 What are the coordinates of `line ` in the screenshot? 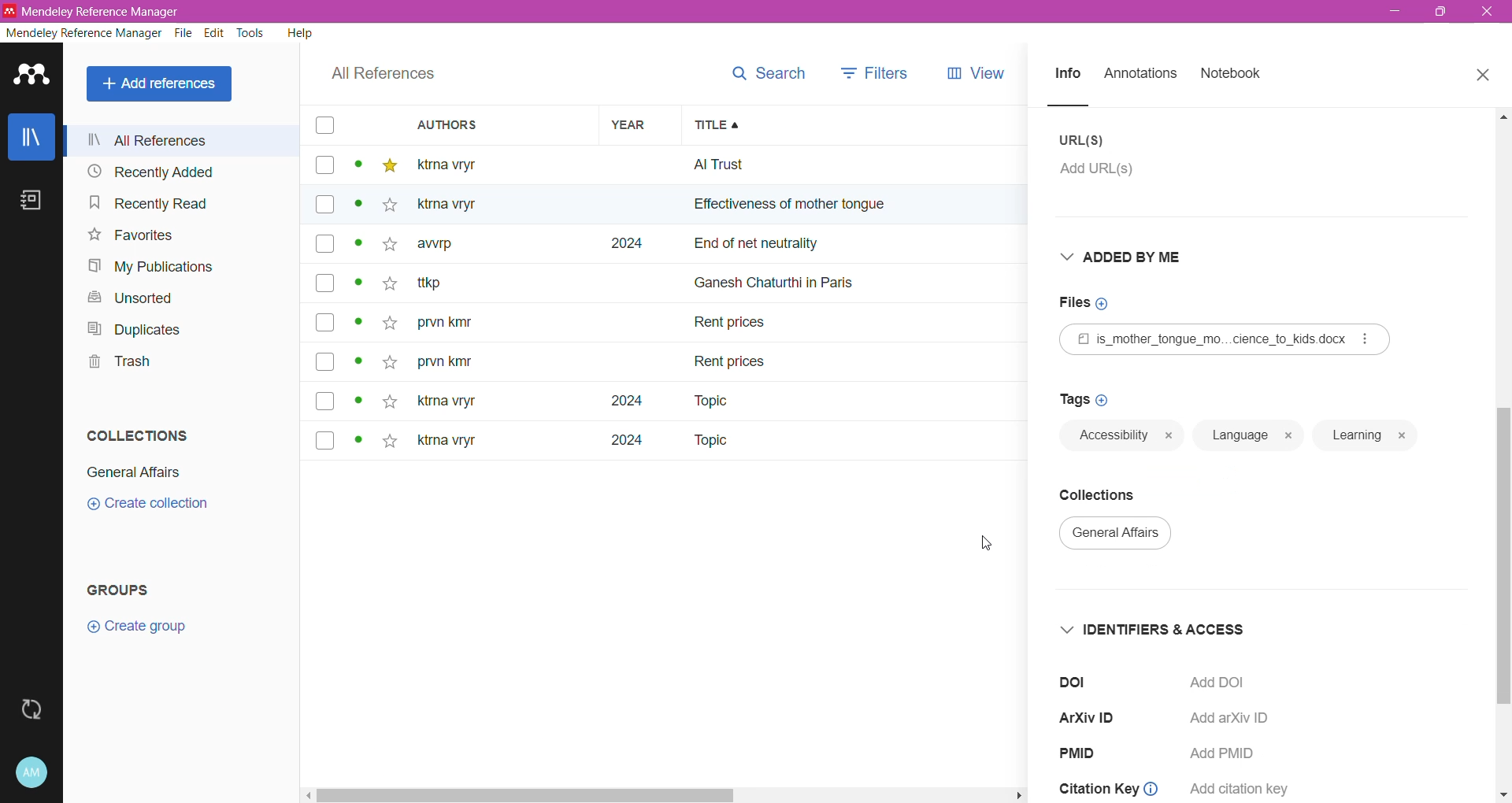 It's located at (1083, 105).